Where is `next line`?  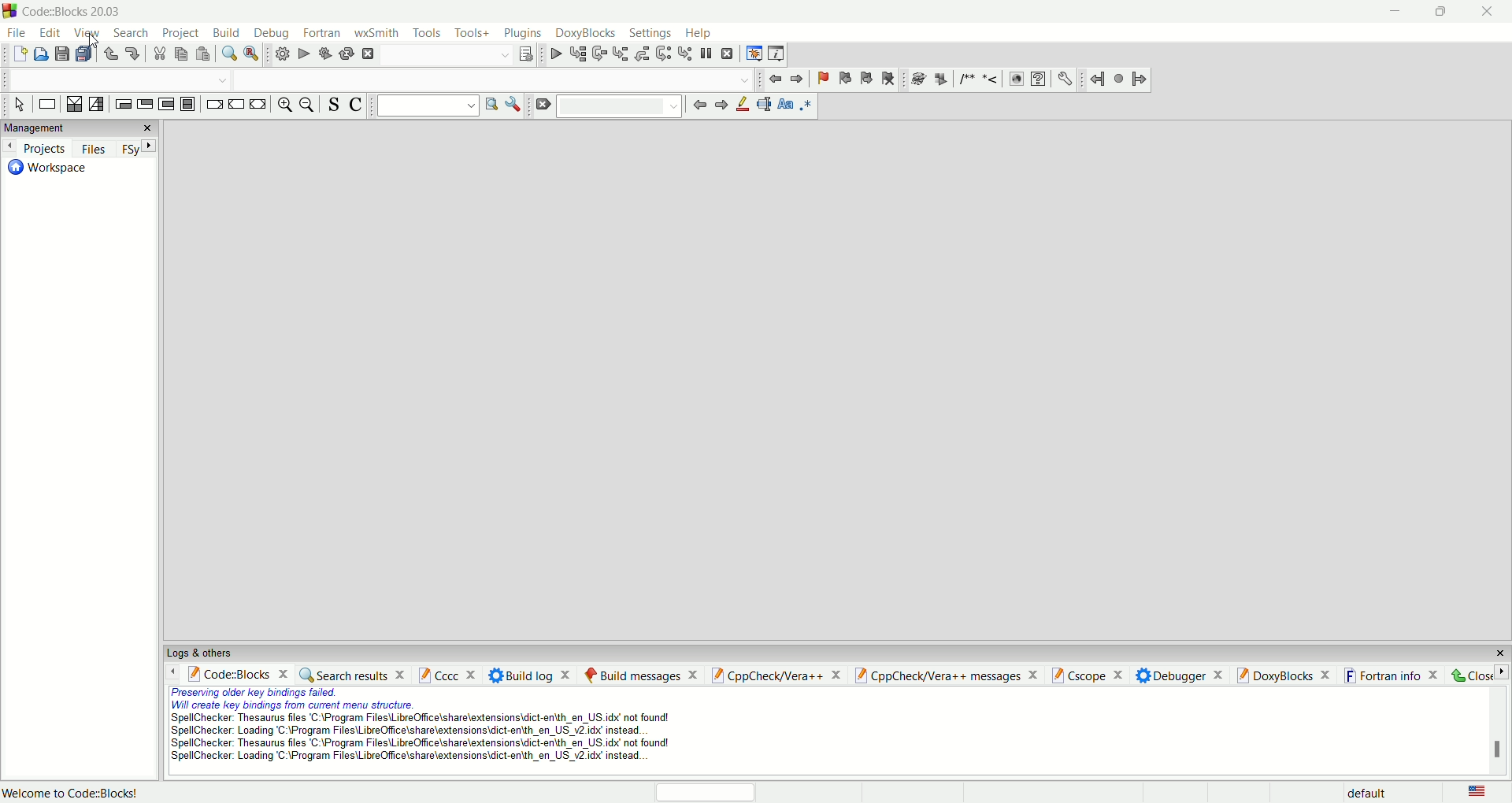 next line is located at coordinates (598, 54).